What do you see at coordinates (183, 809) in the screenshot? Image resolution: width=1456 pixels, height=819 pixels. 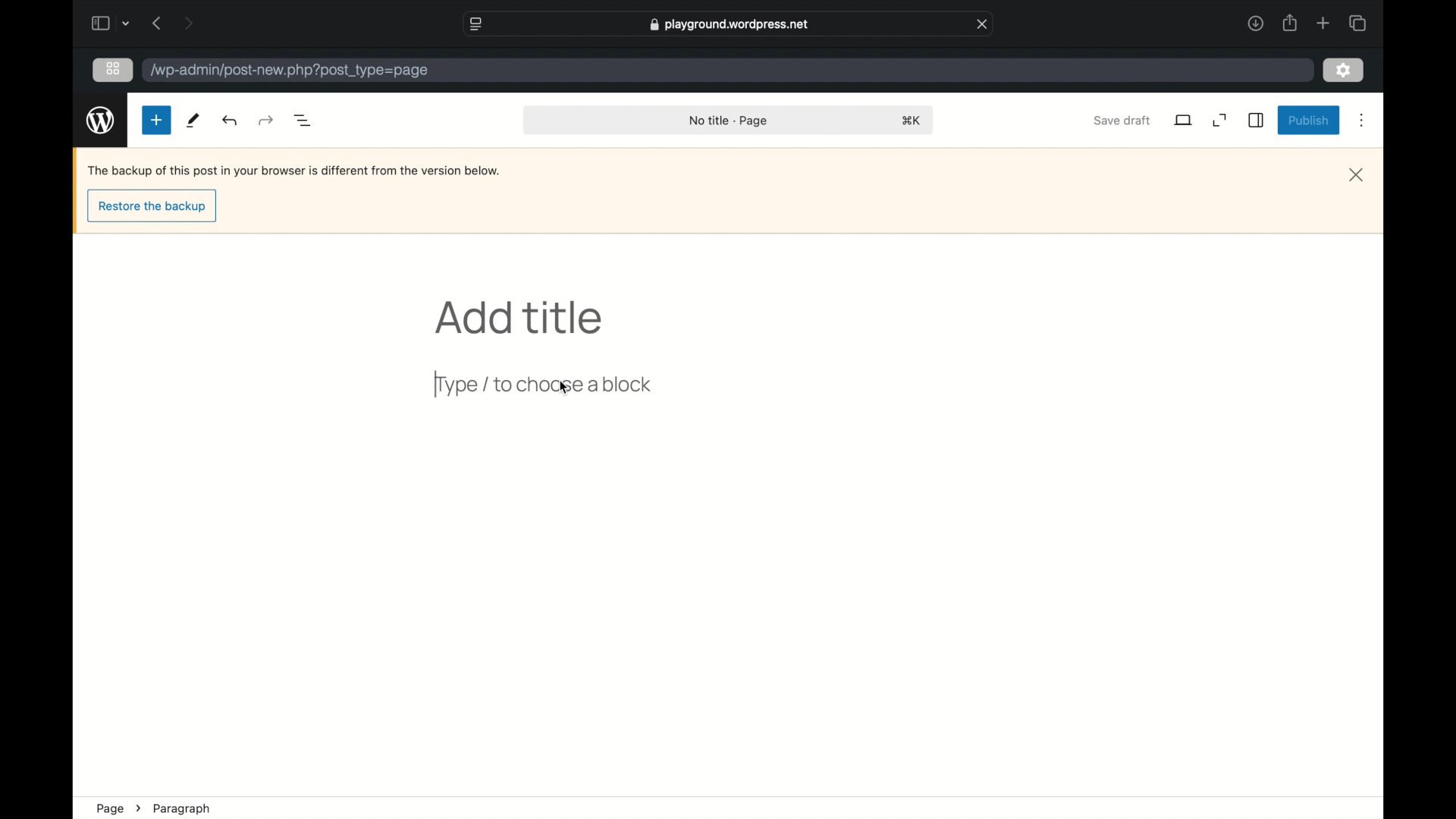 I see `paragraph` at bounding box center [183, 809].